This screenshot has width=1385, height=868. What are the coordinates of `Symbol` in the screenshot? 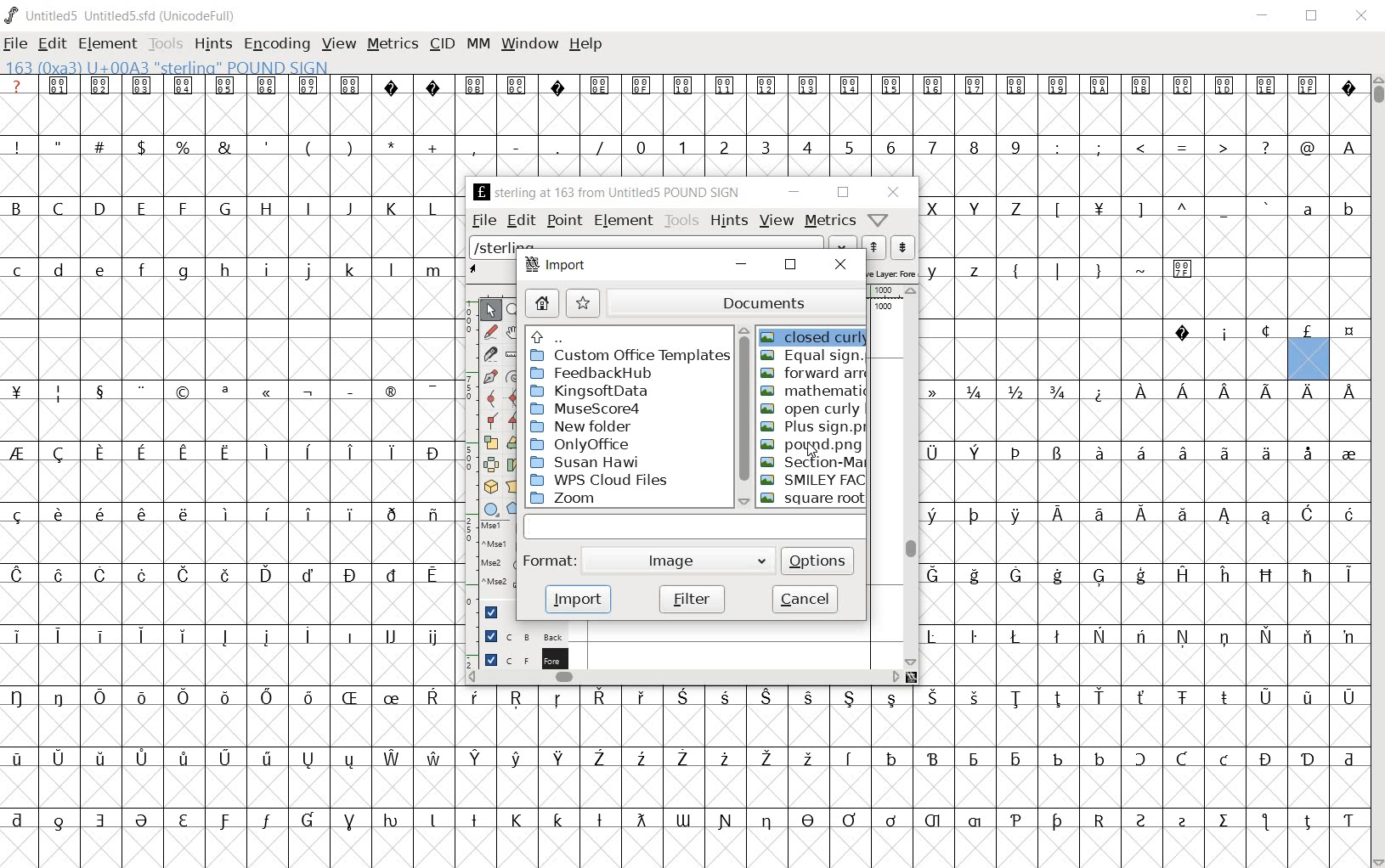 It's located at (348, 389).